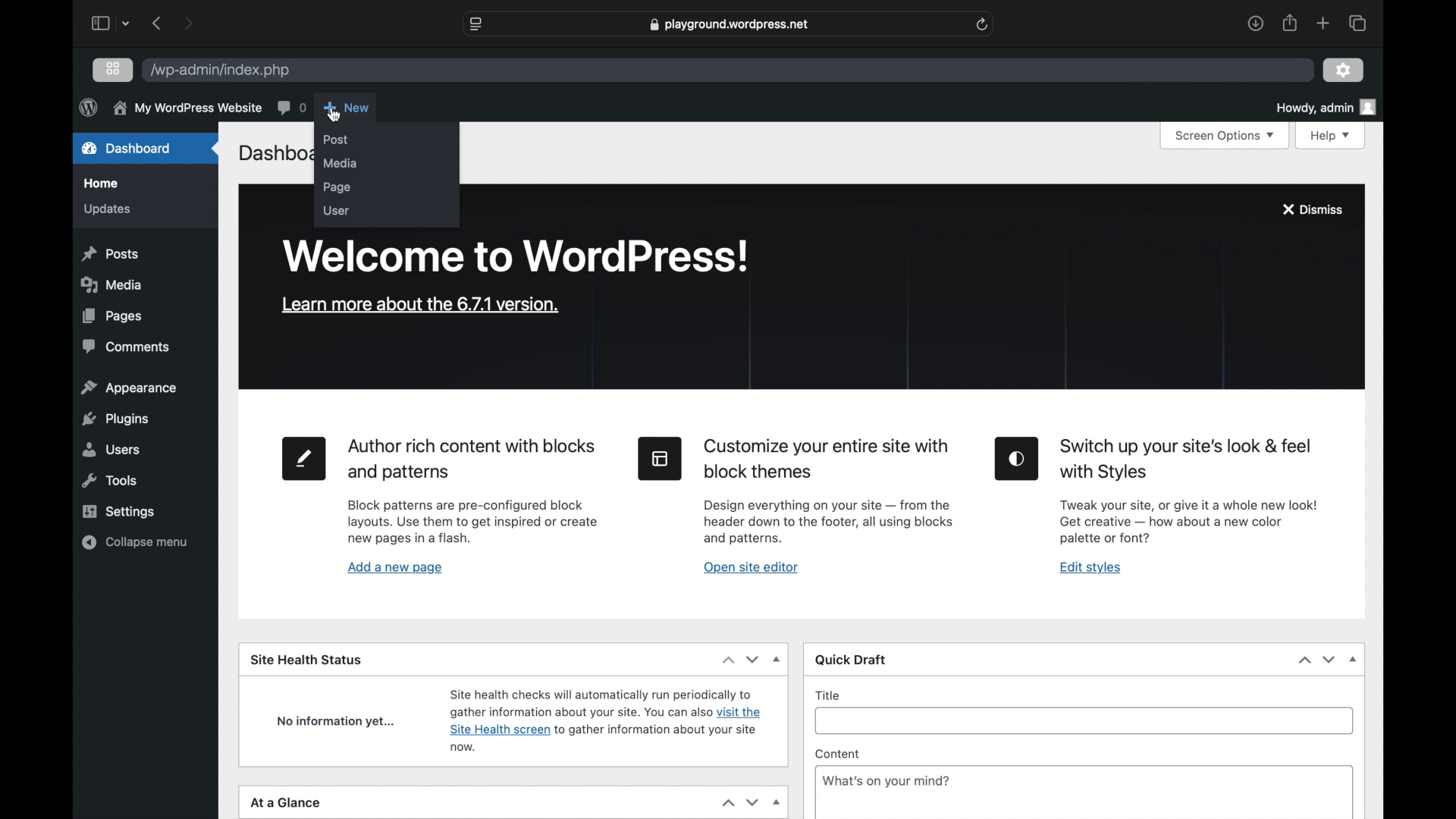 Image resolution: width=1456 pixels, height=819 pixels. Describe the element at coordinates (604, 721) in the screenshot. I see `Site health checks will automatically run periodically to
gather information about your site. You can also visit the
Site Health screen to gather information about your site
now.` at that location.